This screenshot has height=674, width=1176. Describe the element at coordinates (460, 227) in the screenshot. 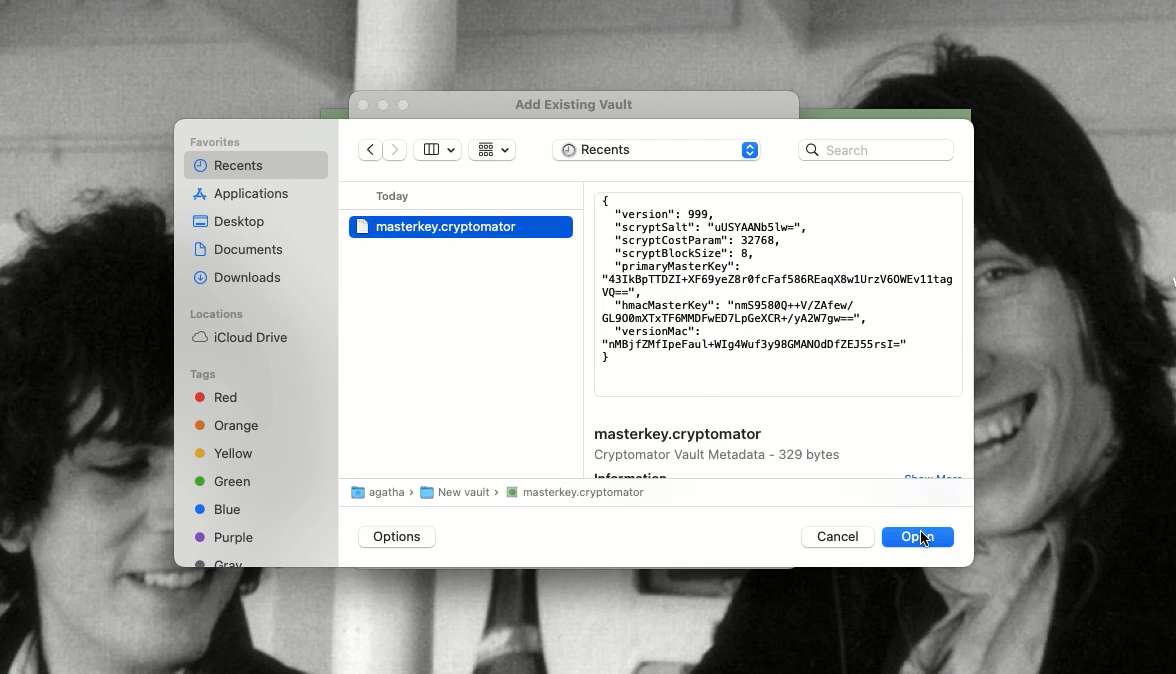

I see `Masterkey.cryptomator` at that location.